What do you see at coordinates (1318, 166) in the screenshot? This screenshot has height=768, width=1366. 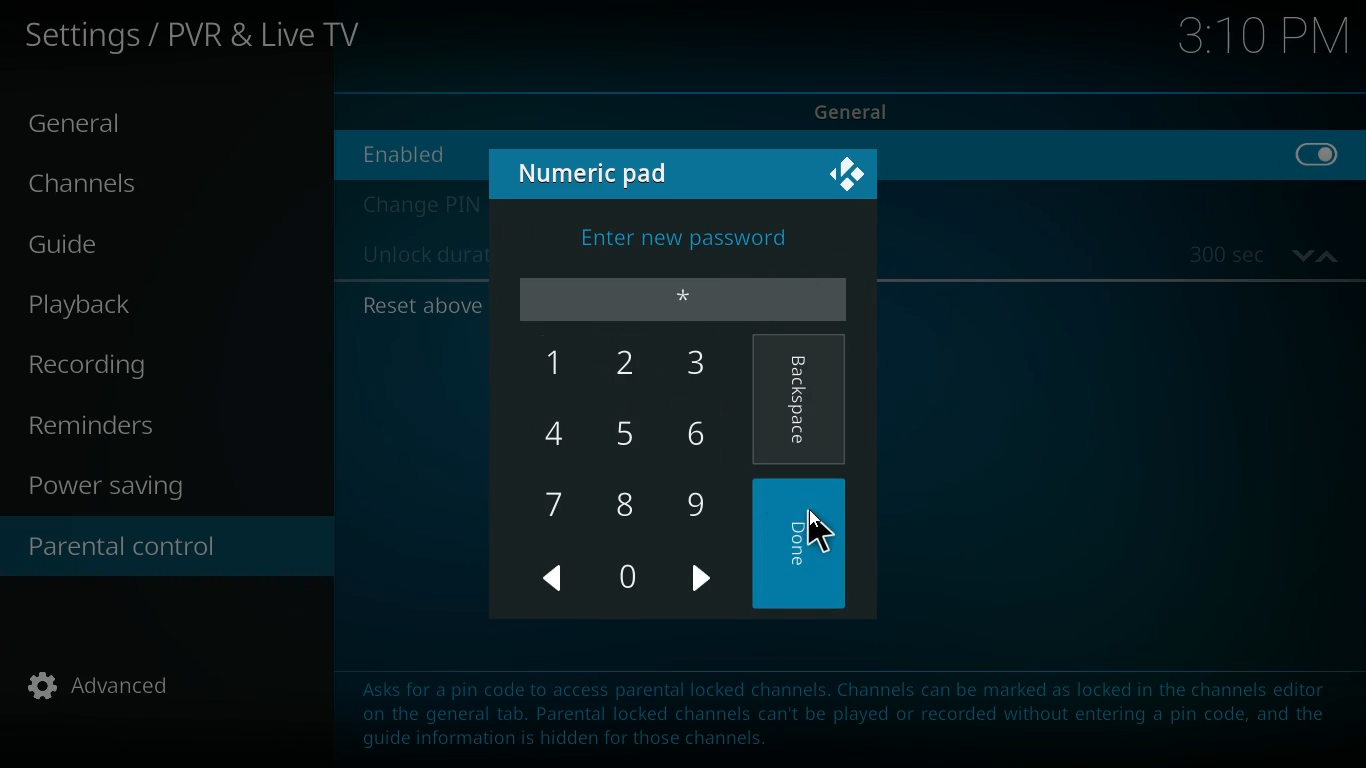 I see `off` at bounding box center [1318, 166].